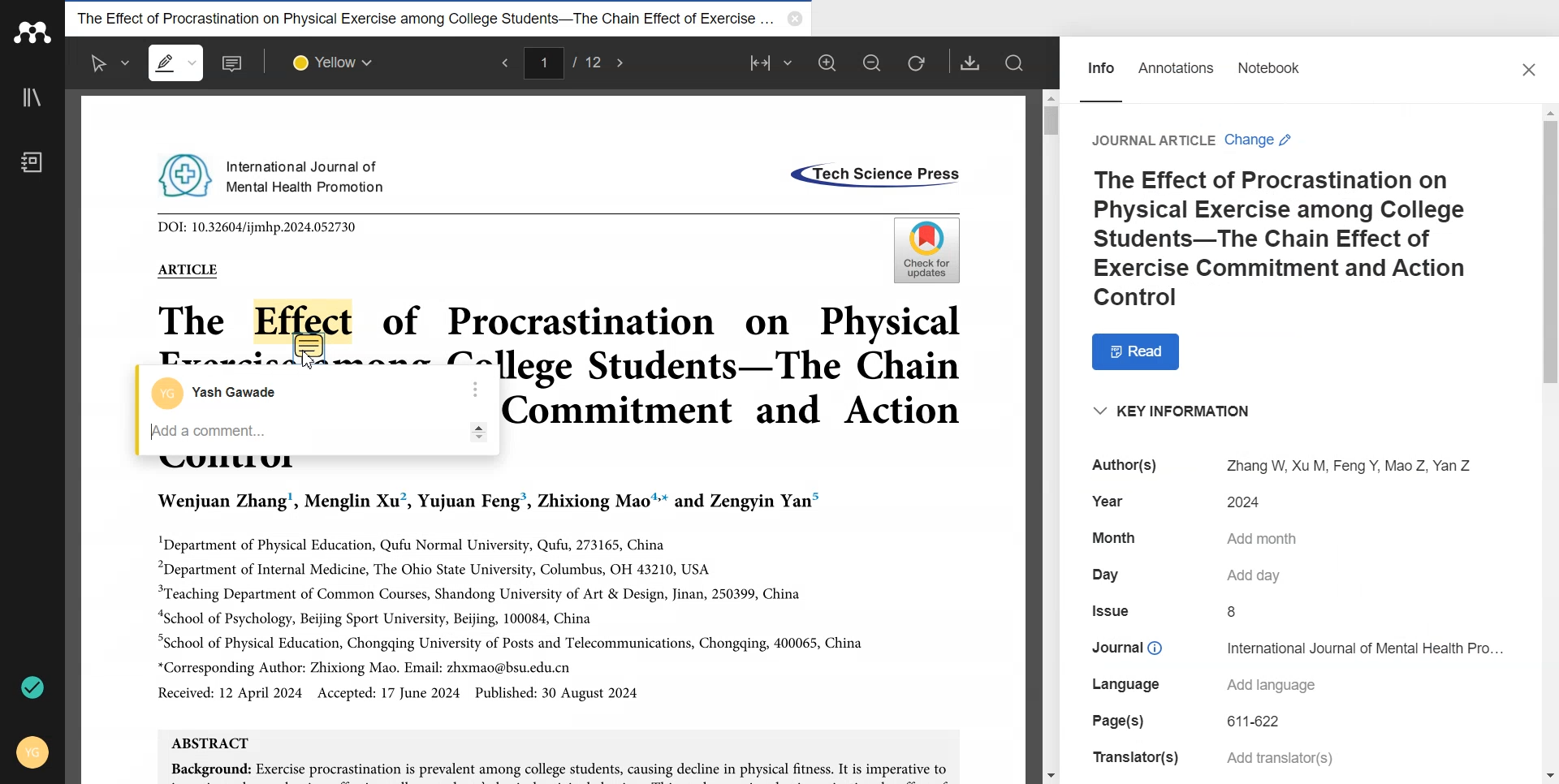 This screenshot has width=1559, height=784. Describe the element at coordinates (110, 63) in the screenshot. I see `Select text` at that location.